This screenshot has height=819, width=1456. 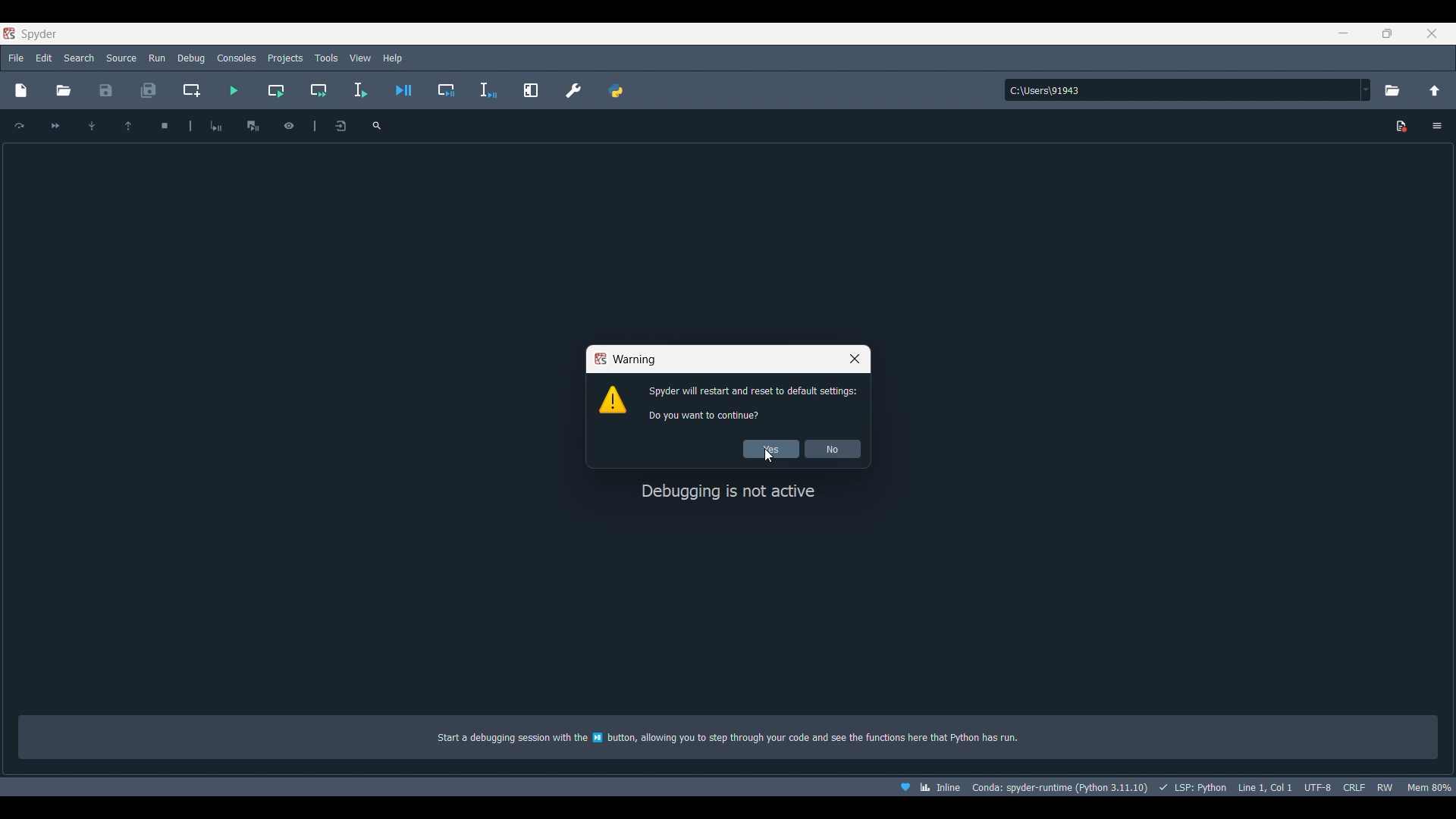 I want to click on save variable, so click(x=340, y=127).